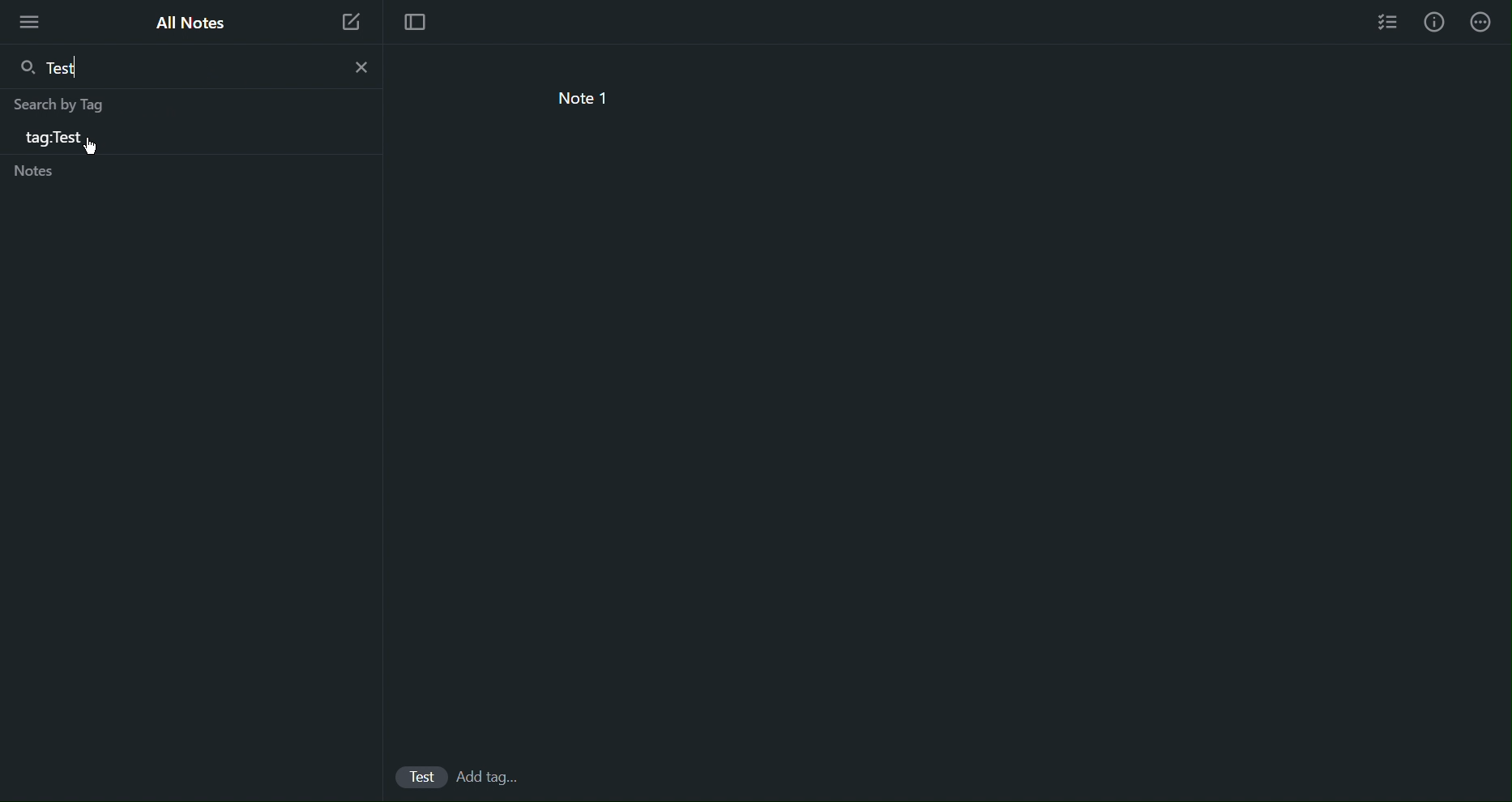 This screenshot has height=802, width=1512. What do you see at coordinates (93, 149) in the screenshot?
I see `Cursor` at bounding box center [93, 149].